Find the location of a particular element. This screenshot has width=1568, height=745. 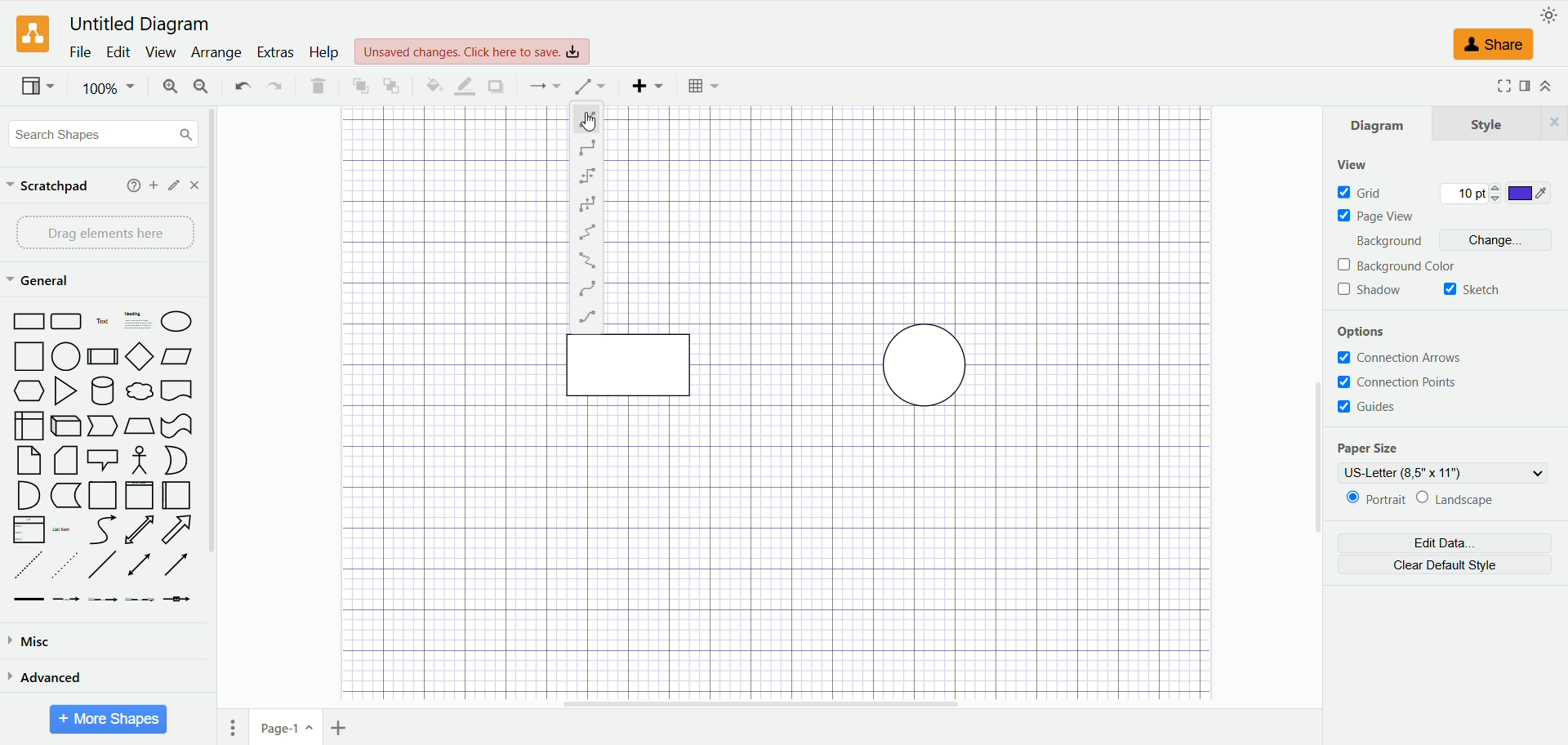

US-letter (8,5" x 11") is located at coordinates (1445, 473).